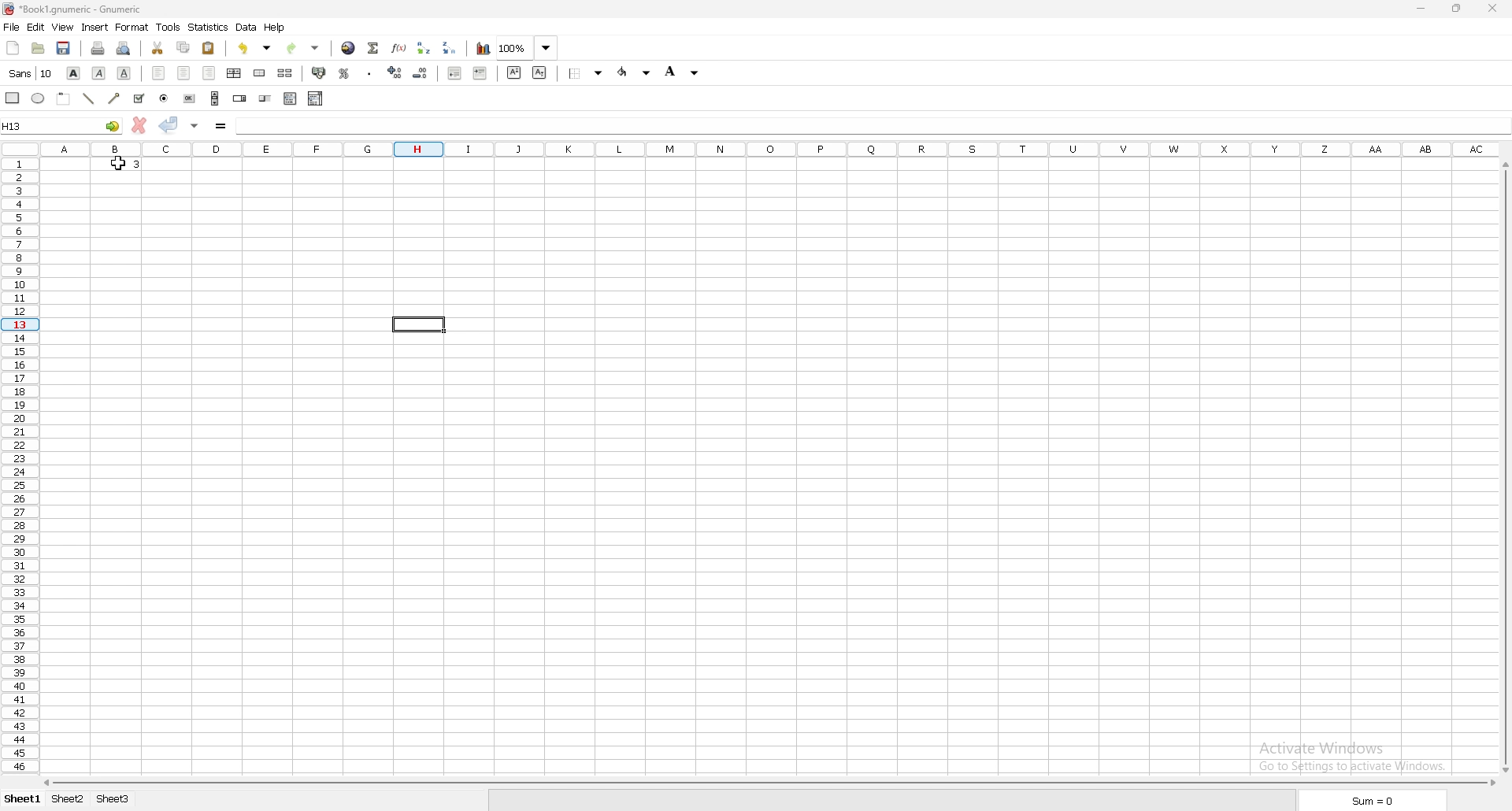 The height and width of the screenshot is (811, 1512). What do you see at coordinates (375, 48) in the screenshot?
I see `summation` at bounding box center [375, 48].